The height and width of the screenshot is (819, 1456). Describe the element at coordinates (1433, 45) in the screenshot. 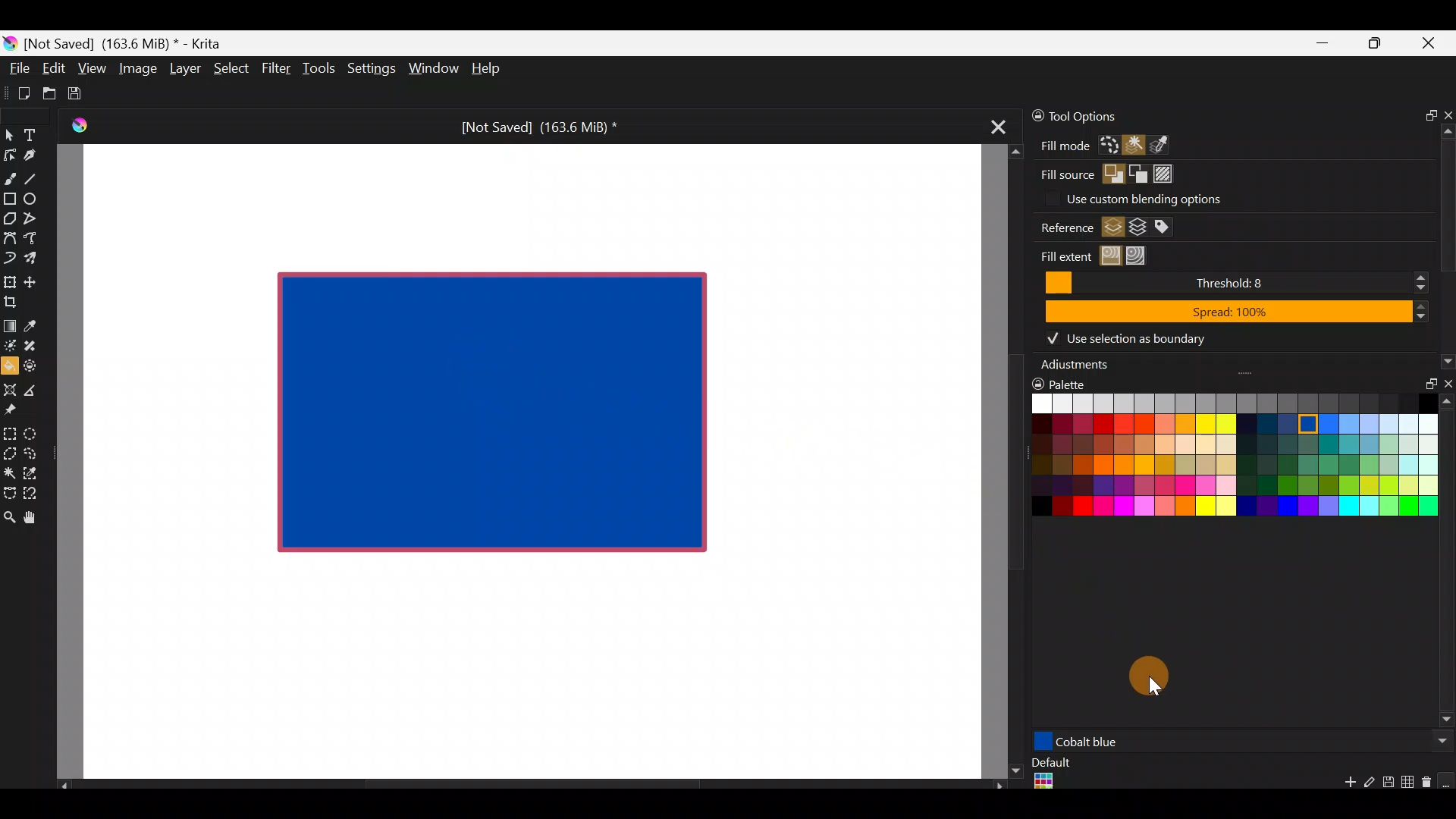

I see `Close` at that location.